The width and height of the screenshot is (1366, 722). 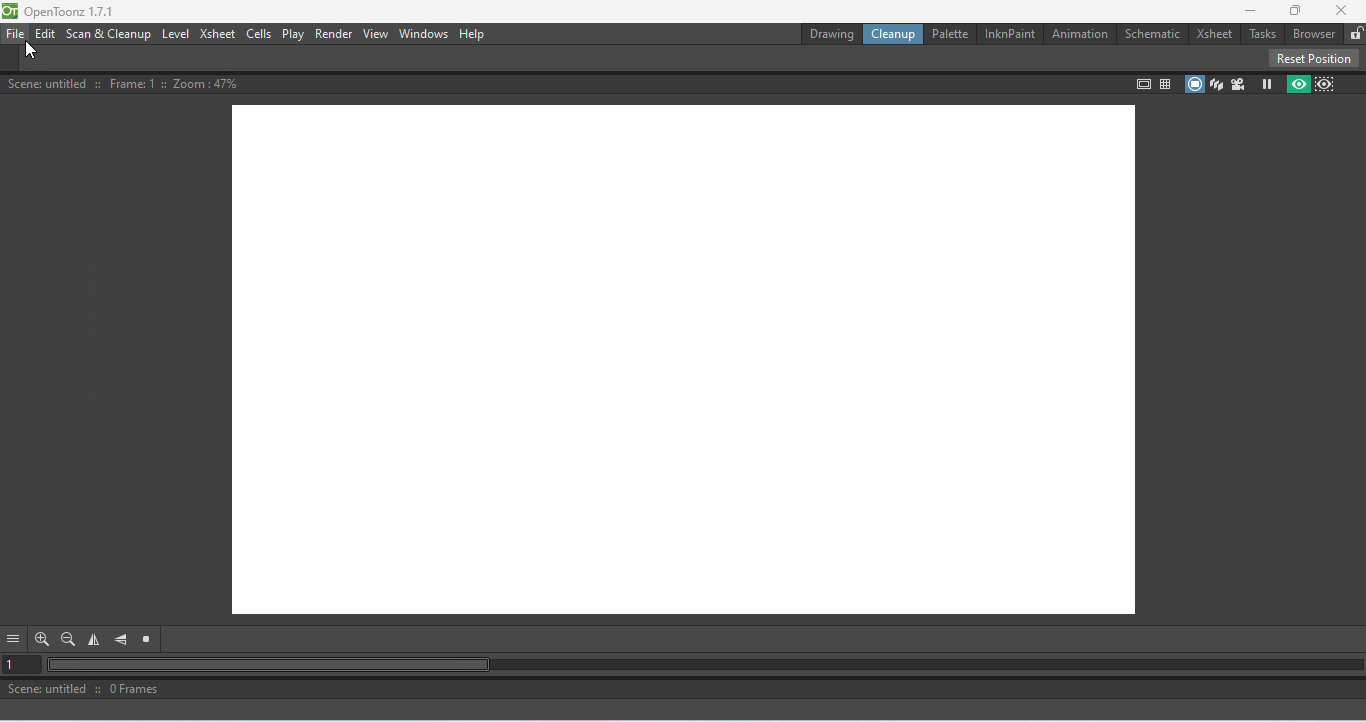 I want to click on Cells, so click(x=261, y=32).